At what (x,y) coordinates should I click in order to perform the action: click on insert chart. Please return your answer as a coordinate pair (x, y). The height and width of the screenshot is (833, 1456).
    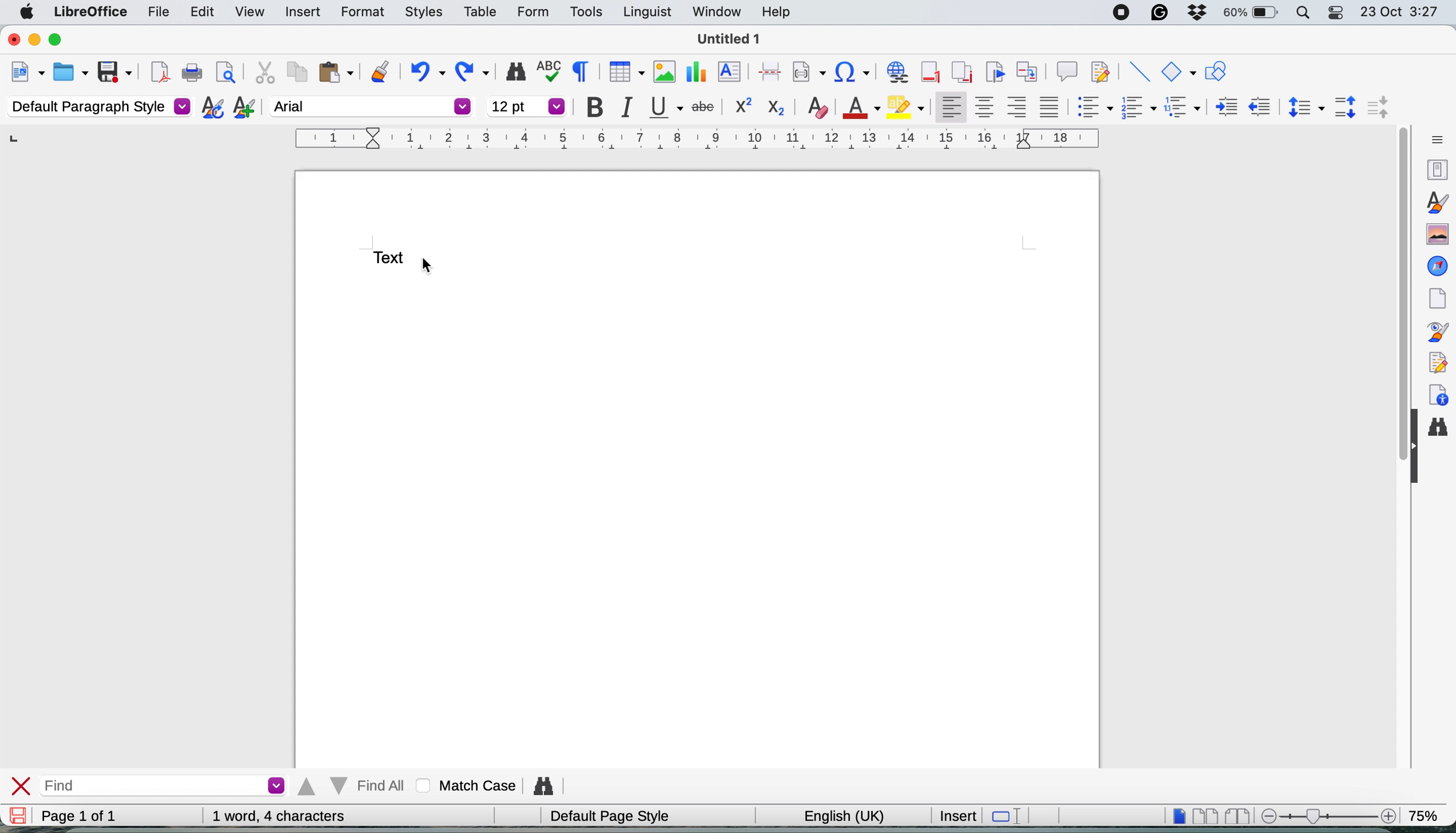
    Looking at the image, I should click on (695, 70).